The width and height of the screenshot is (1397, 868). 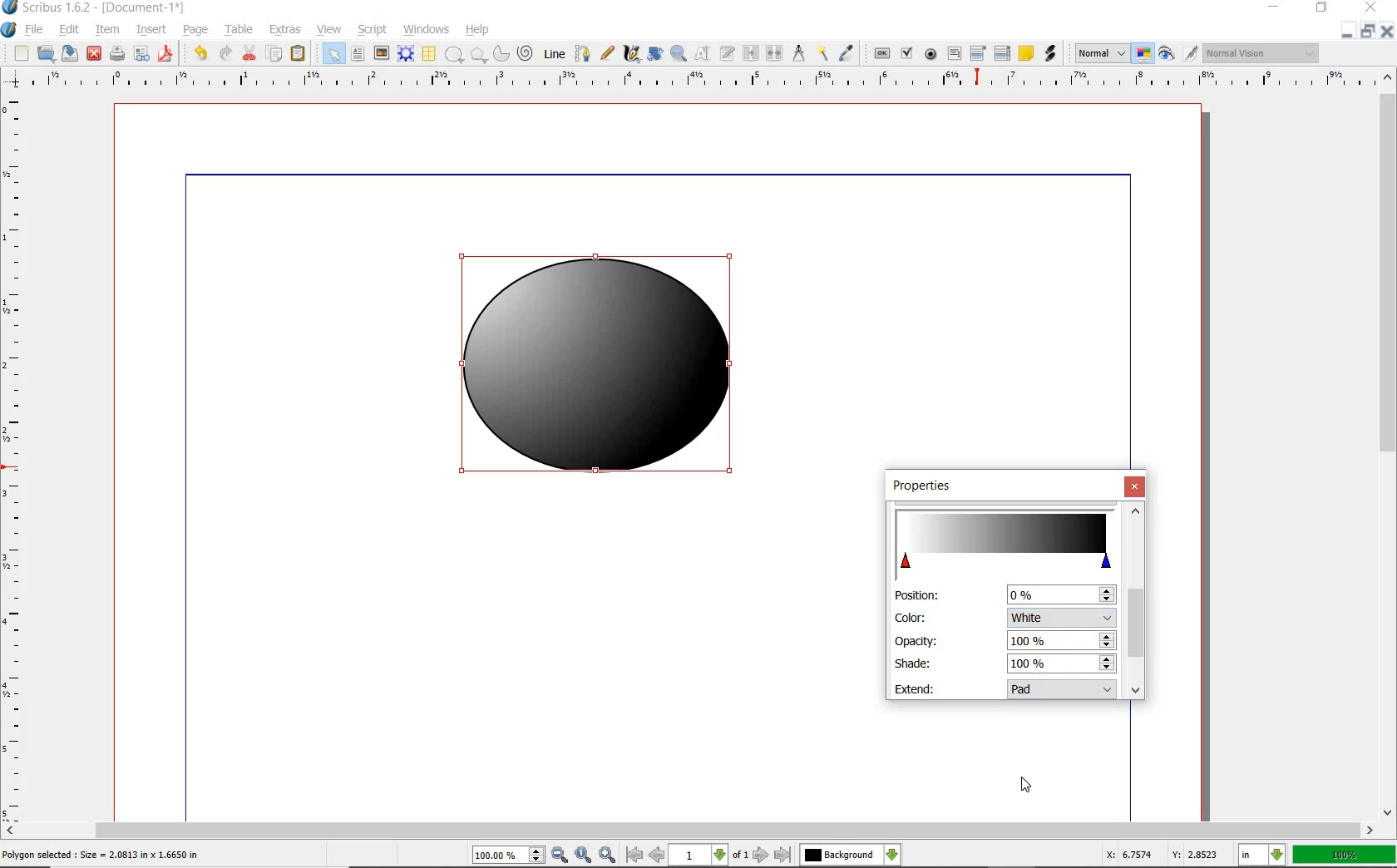 What do you see at coordinates (151, 30) in the screenshot?
I see `INSERT` at bounding box center [151, 30].